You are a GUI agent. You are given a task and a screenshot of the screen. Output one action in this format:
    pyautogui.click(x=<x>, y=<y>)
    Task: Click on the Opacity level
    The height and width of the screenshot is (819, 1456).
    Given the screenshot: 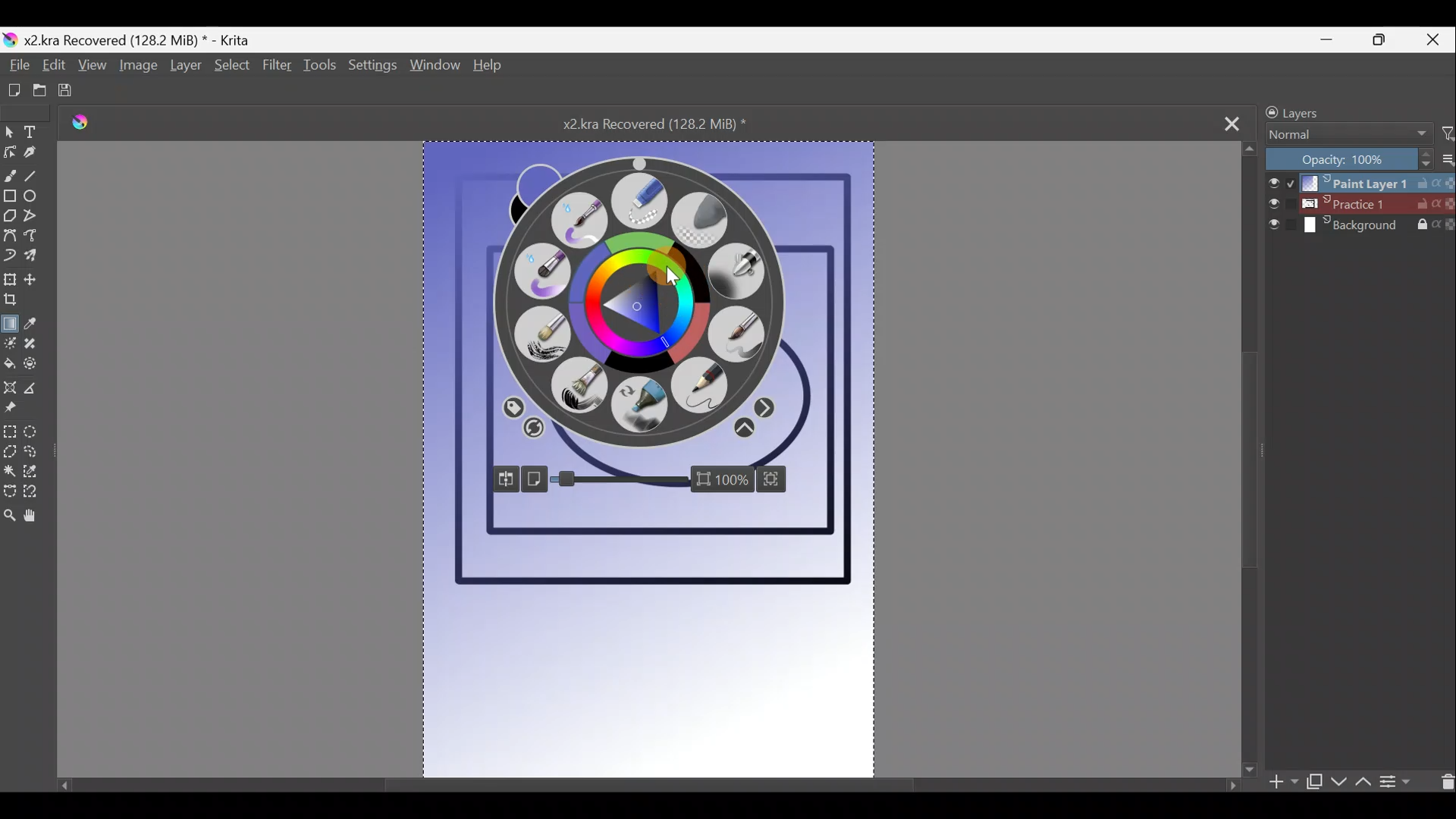 What is the action you would take?
    pyautogui.click(x=1359, y=158)
    